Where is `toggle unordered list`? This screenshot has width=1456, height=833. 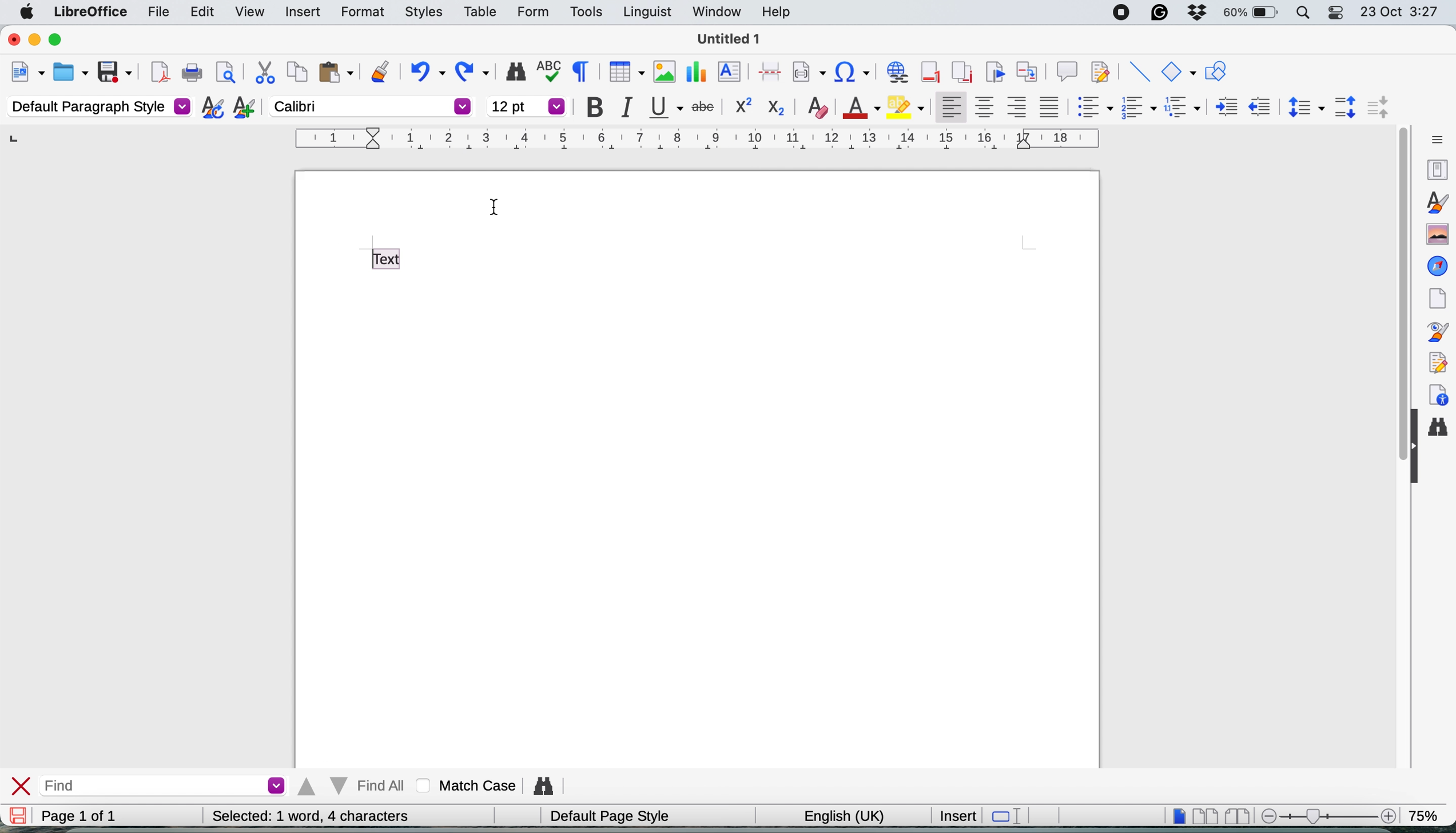
toggle unordered list is located at coordinates (1092, 110).